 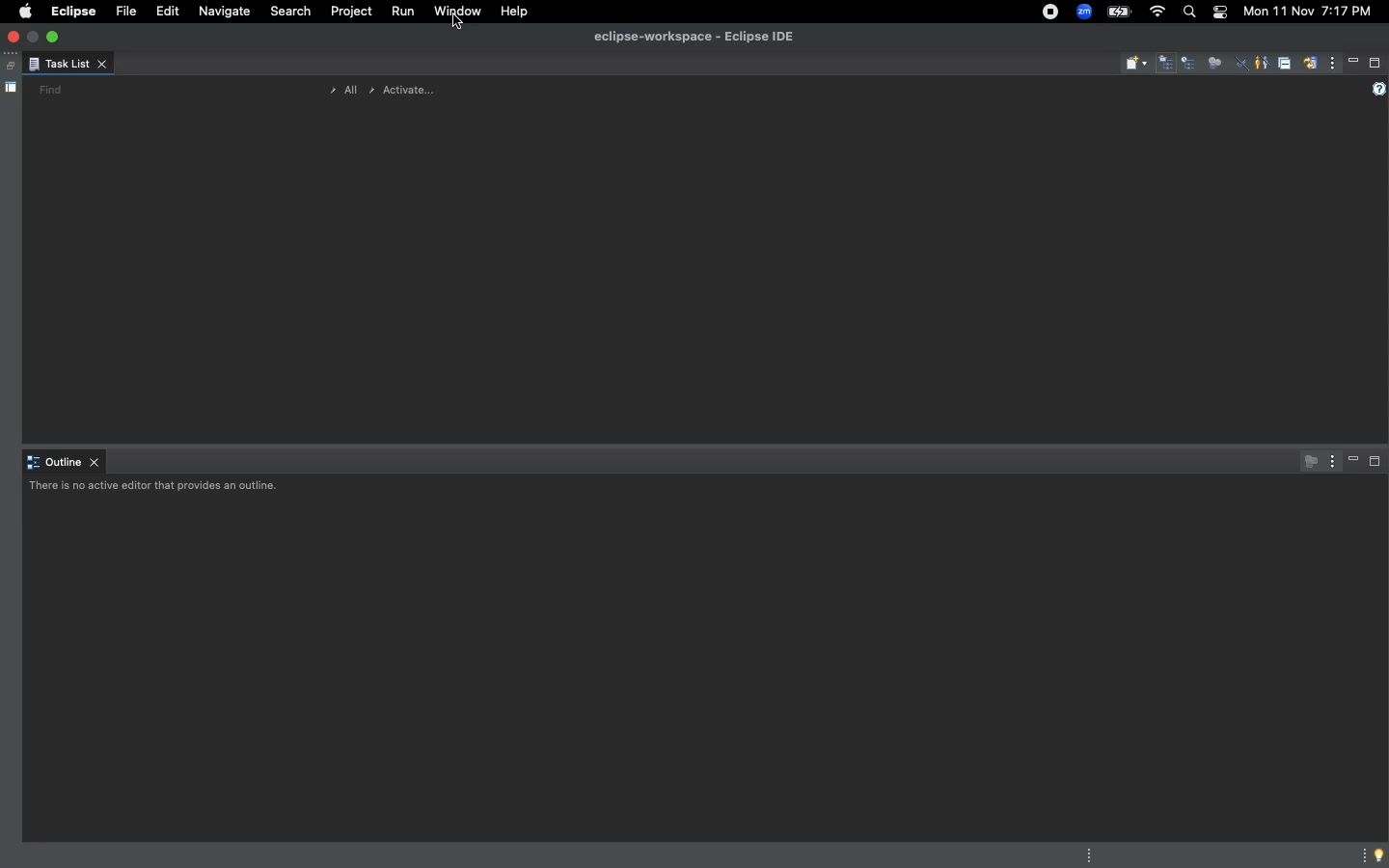 I want to click on Focus on active tasks, so click(x=1306, y=461).